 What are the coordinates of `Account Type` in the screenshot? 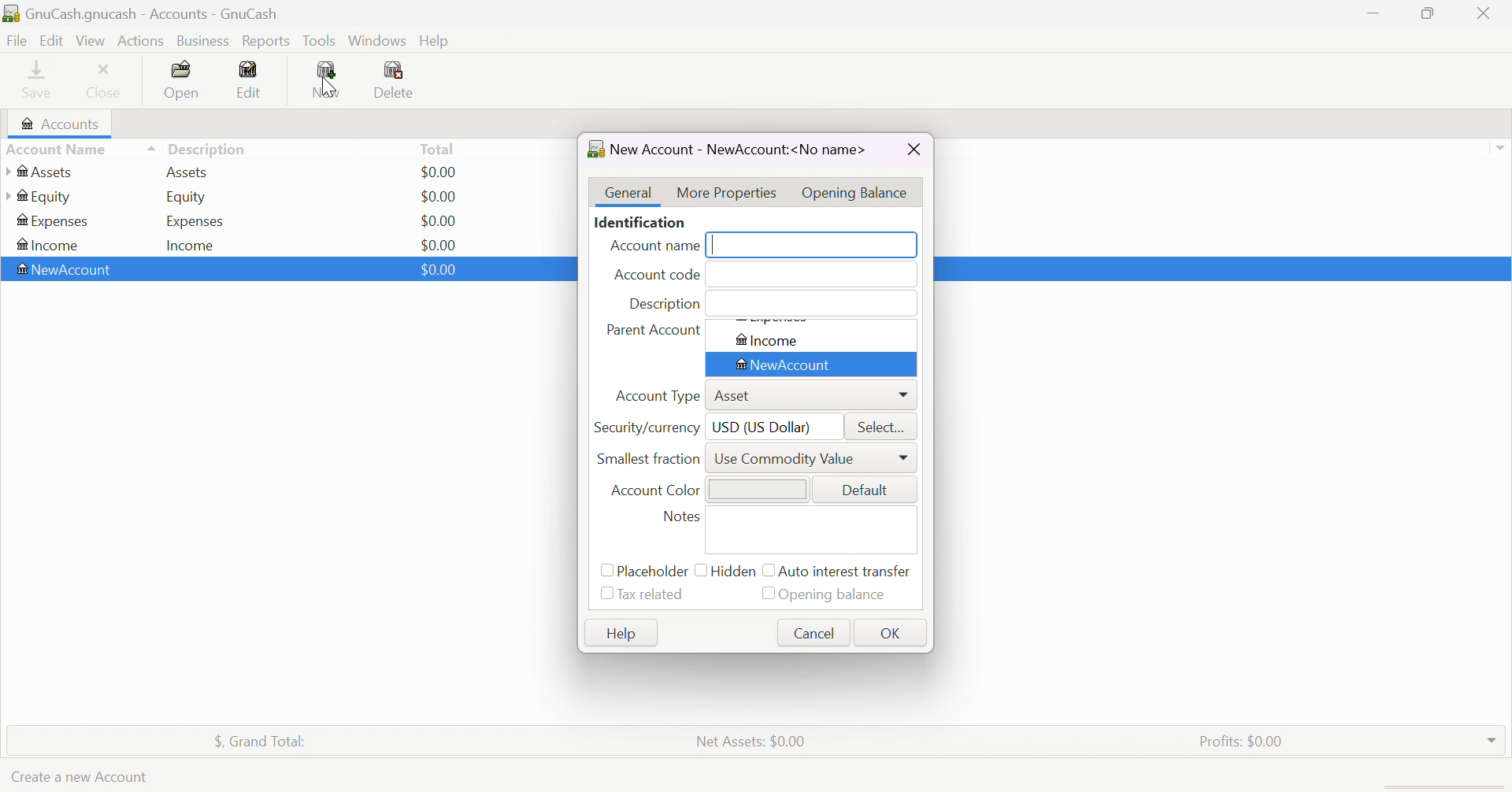 It's located at (658, 397).